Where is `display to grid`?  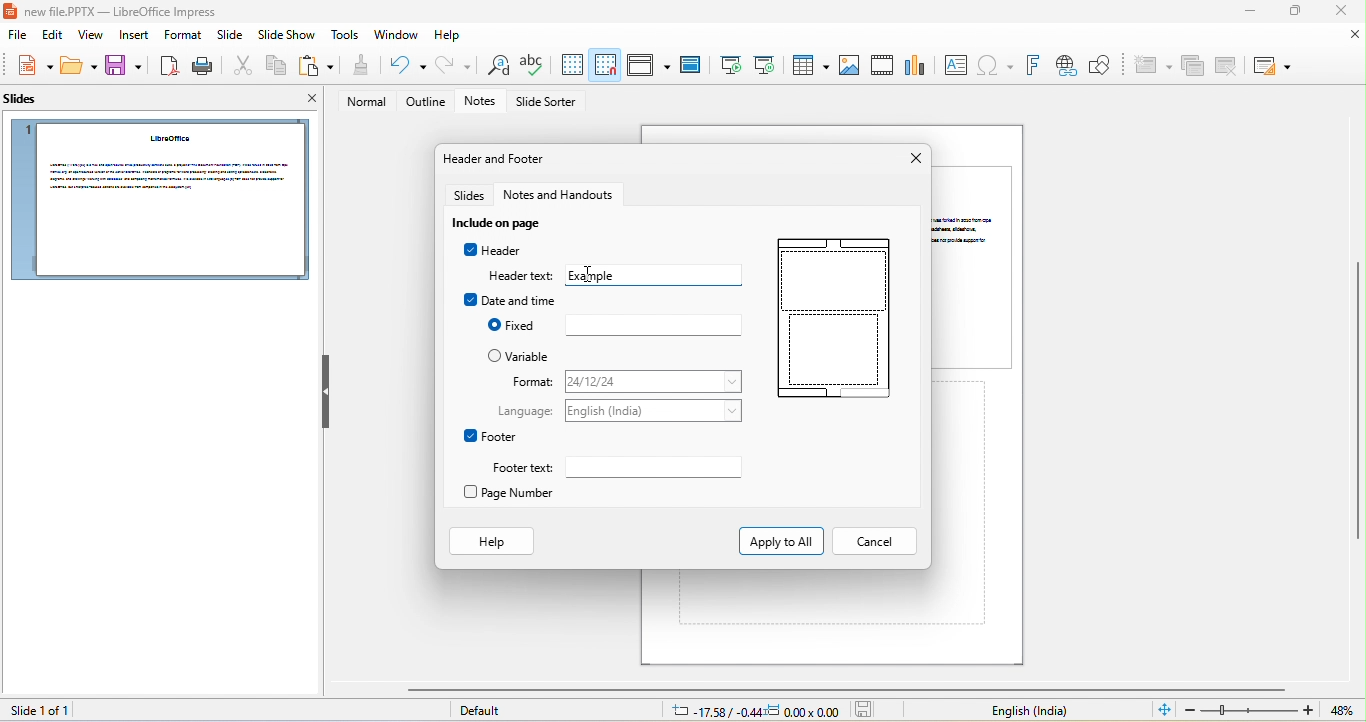 display to grid is located at coordinates (571, 65).